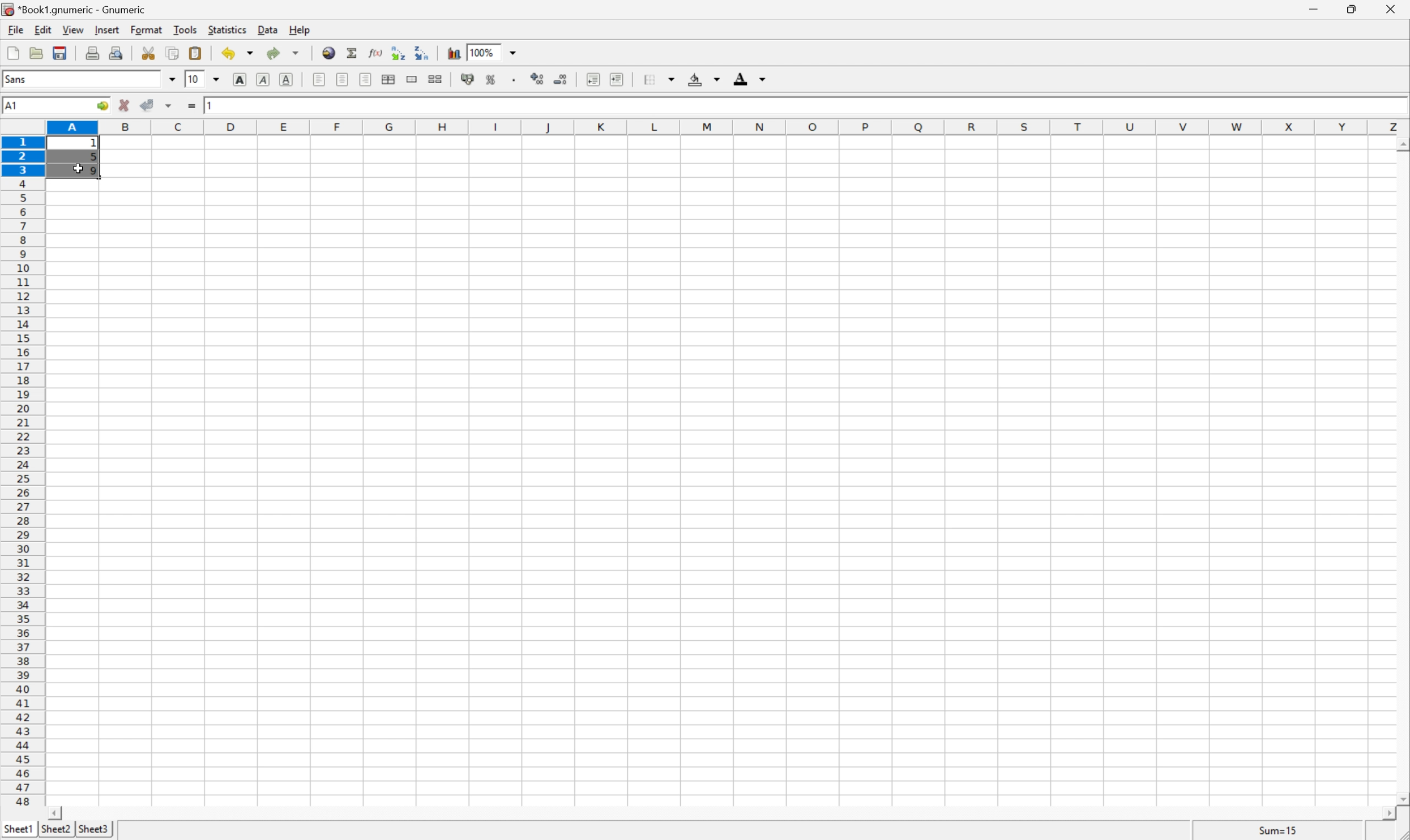 Image resolution: width=1410 pixels, height=840 pixels. Describe the element at coordinates (186, 29) in the screenshot. I see `tools` at that location.